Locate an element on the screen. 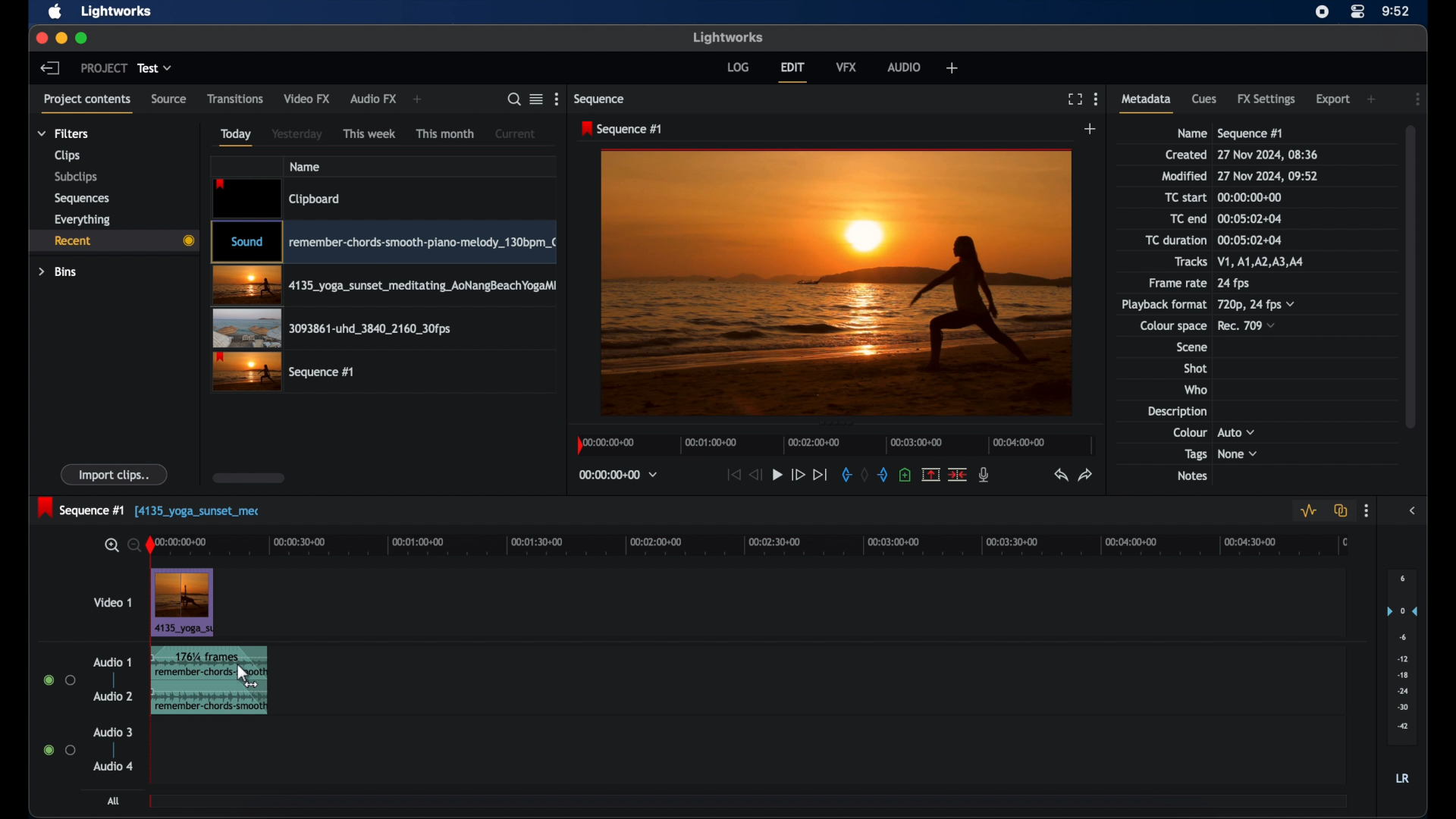 This screenshot has width=1456, height=819. this week is located at coordinates (369, 133).